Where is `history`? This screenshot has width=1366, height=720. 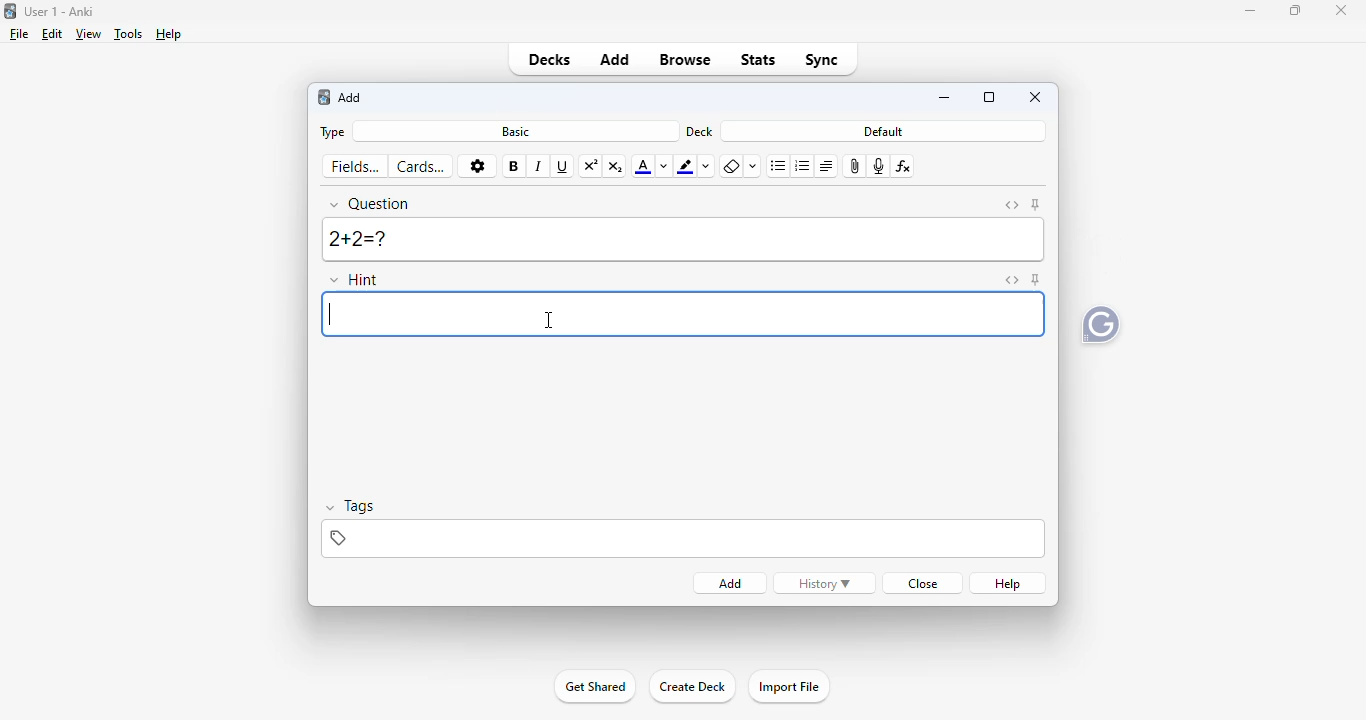
history is located at coordinates (824, 584).